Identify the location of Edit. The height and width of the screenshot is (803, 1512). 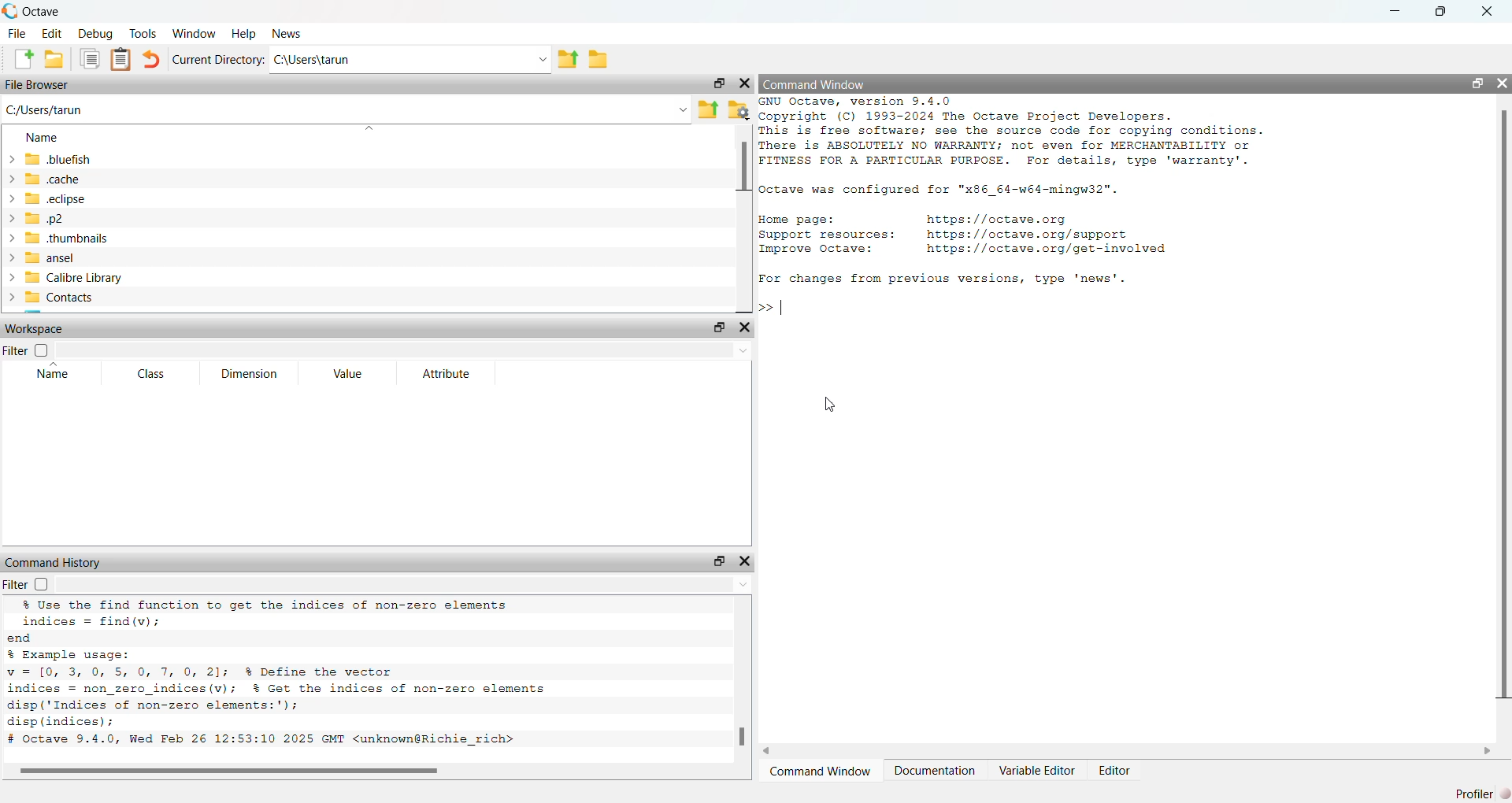
(51, 34).